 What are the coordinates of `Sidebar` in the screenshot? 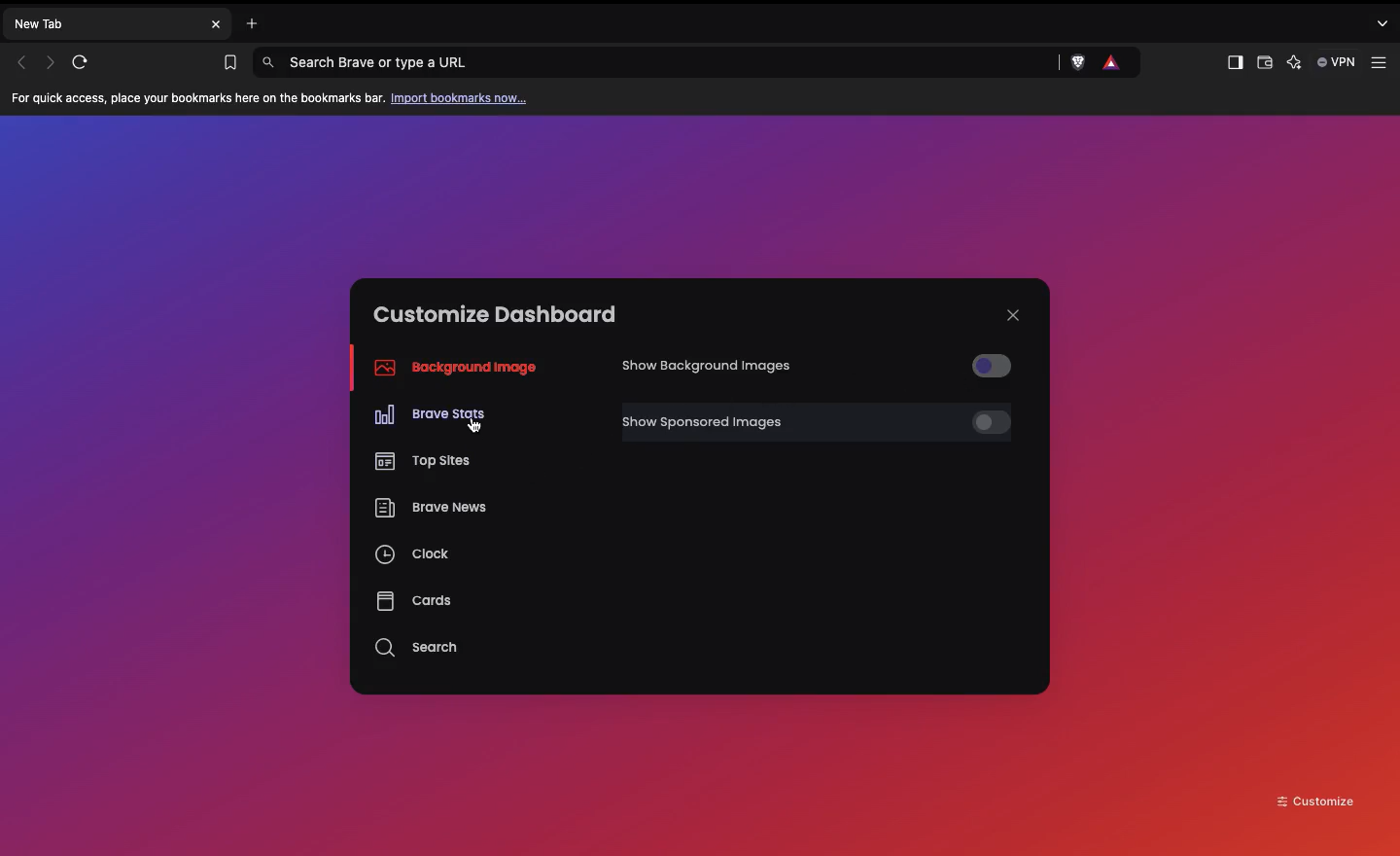 It's located at (1233, 63).